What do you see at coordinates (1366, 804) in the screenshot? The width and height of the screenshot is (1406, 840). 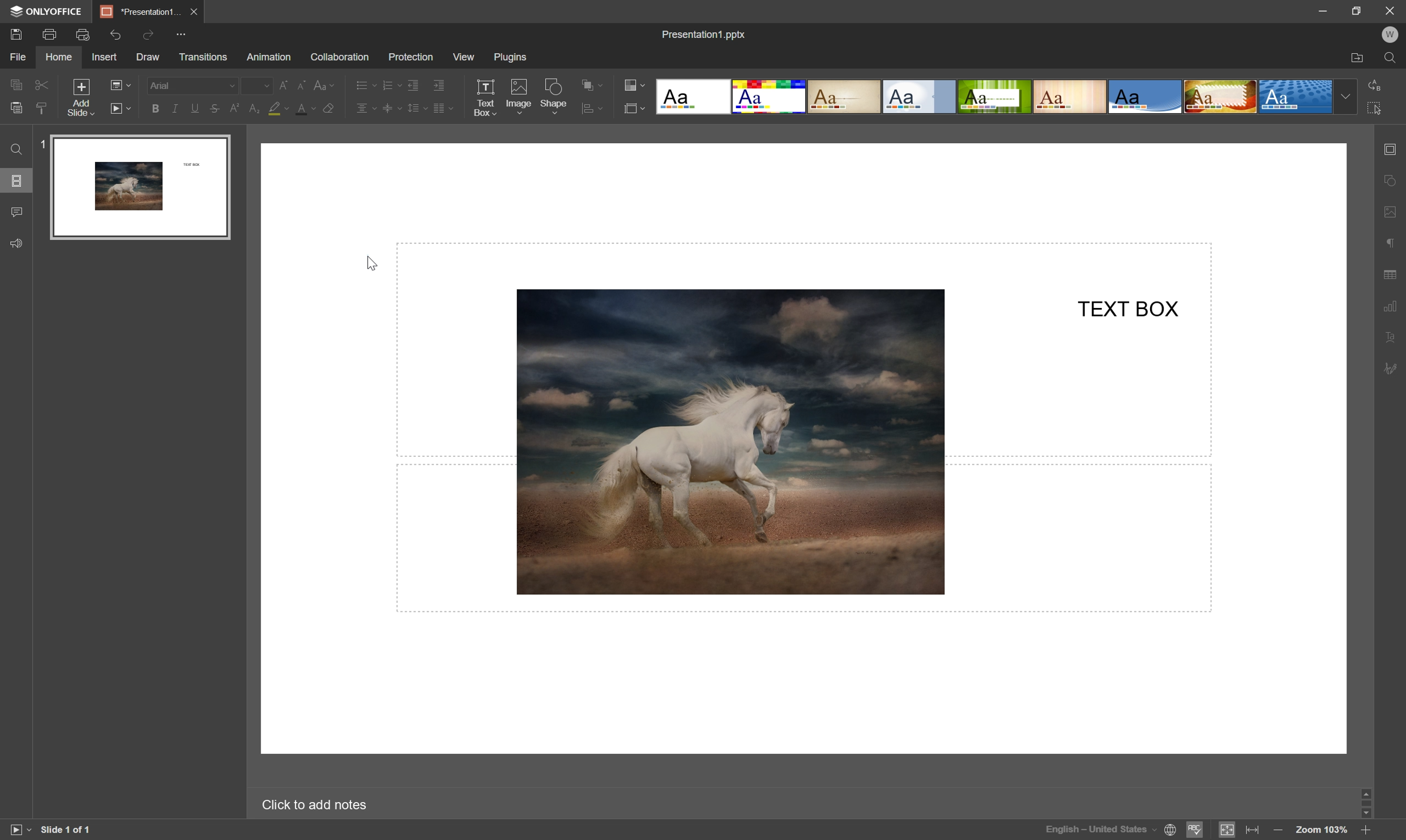 I see `scroll` at bounding box center [1366, 804].